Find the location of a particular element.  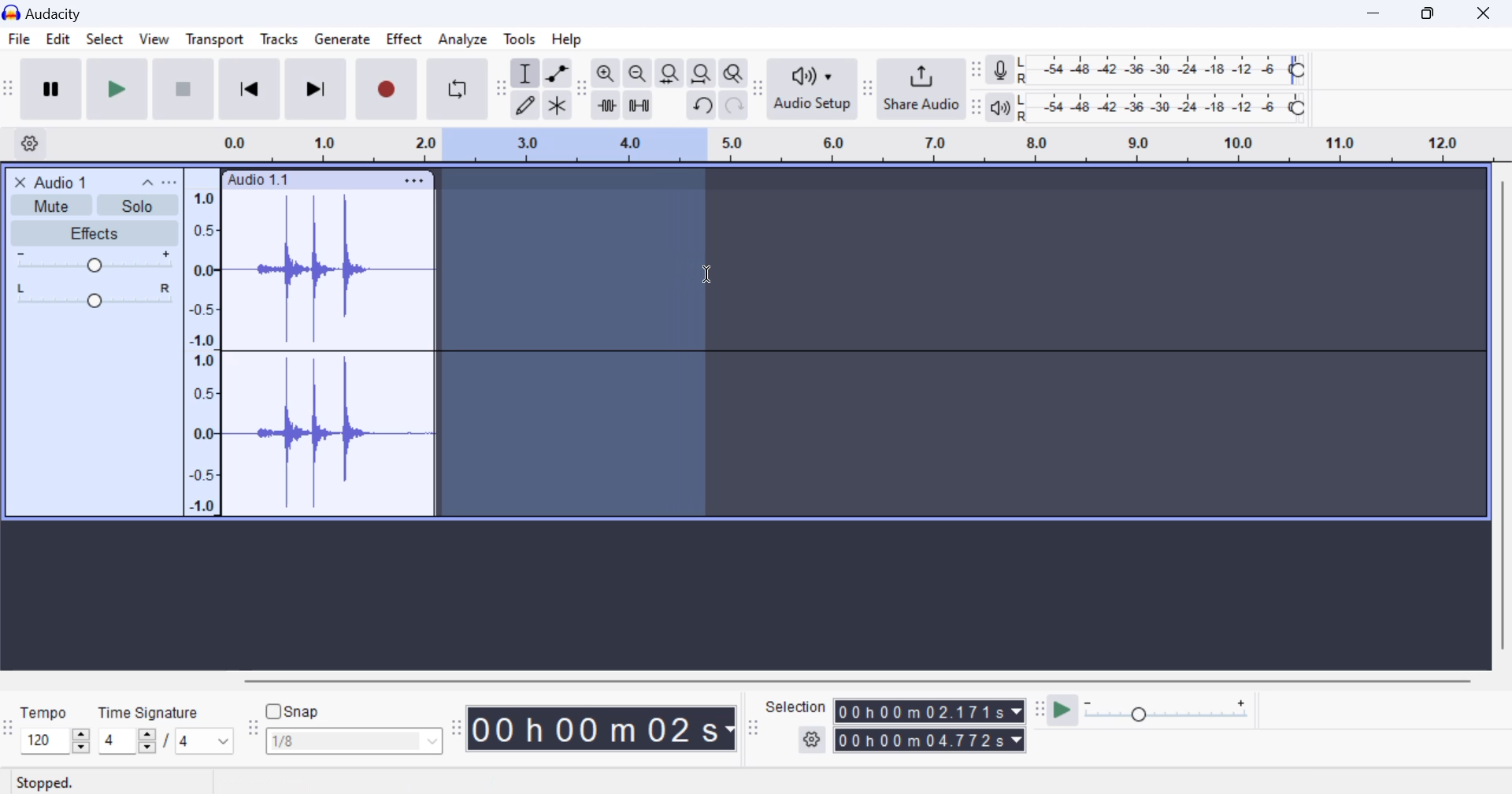

Window Title is located at coordinates (50, 13).